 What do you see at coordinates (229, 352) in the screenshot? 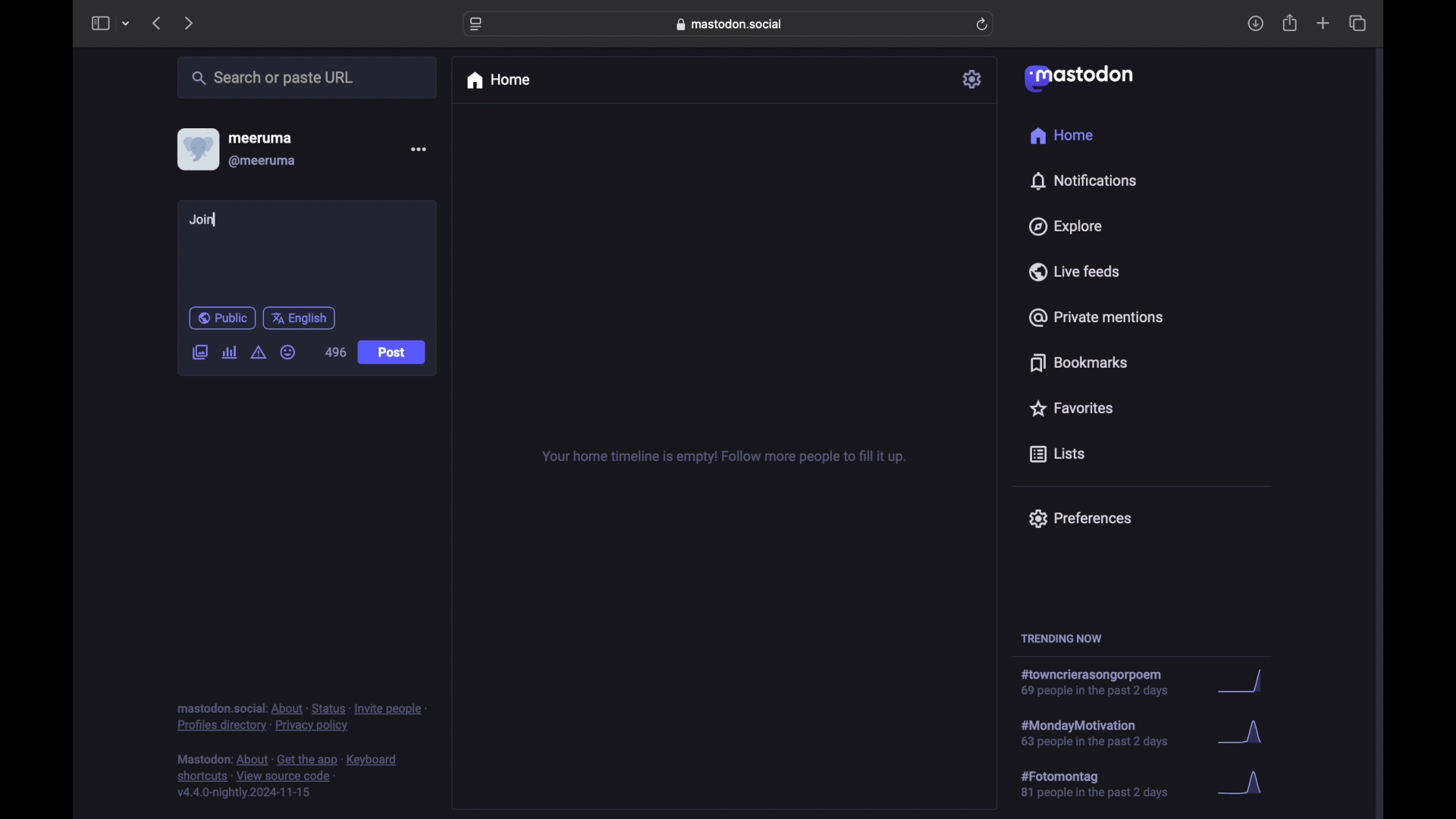
I see `add  poll` at bounding box center [229, 352].